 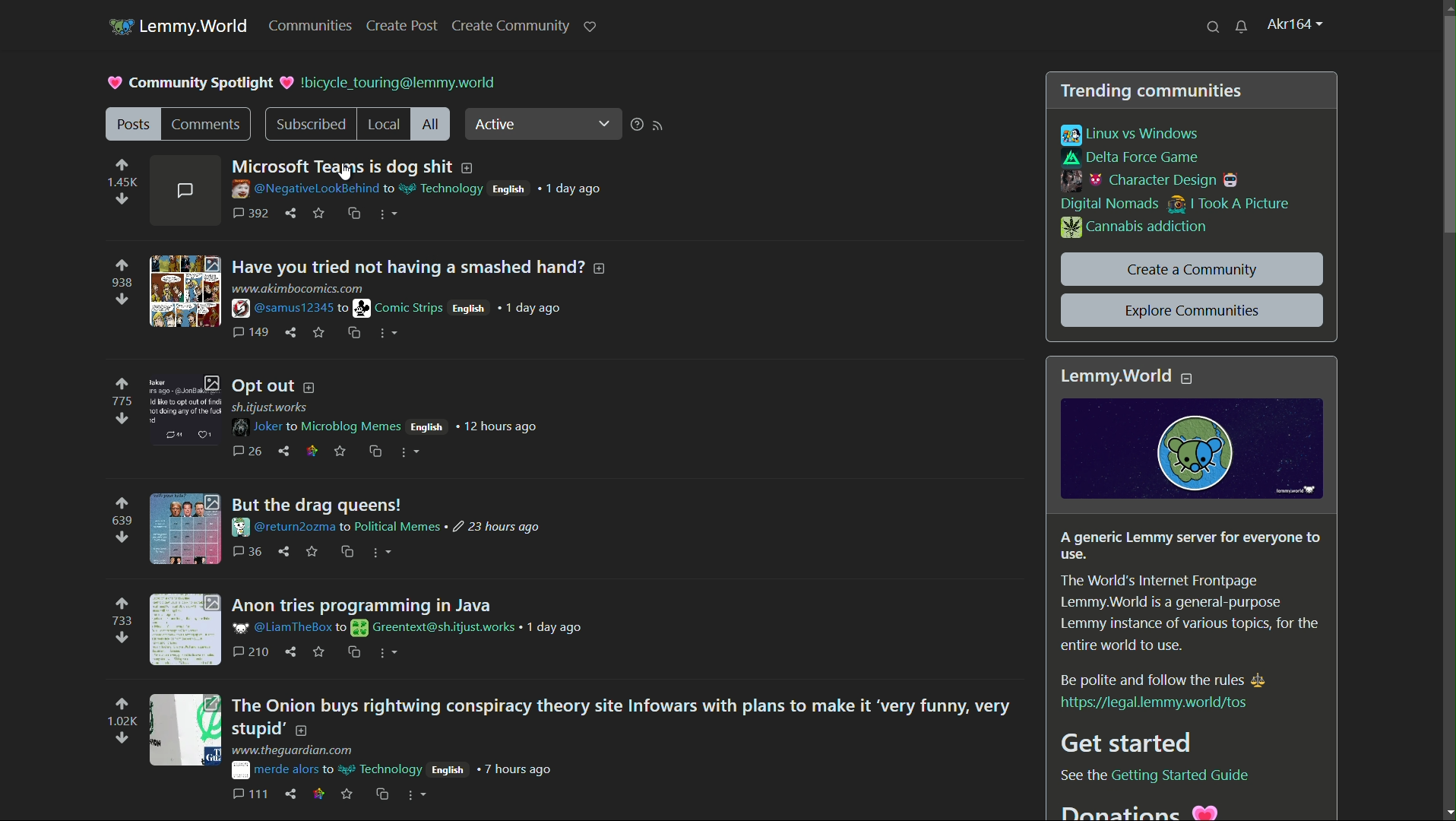 I want to click on cannabis addiction, so click(x=1135, y=228).